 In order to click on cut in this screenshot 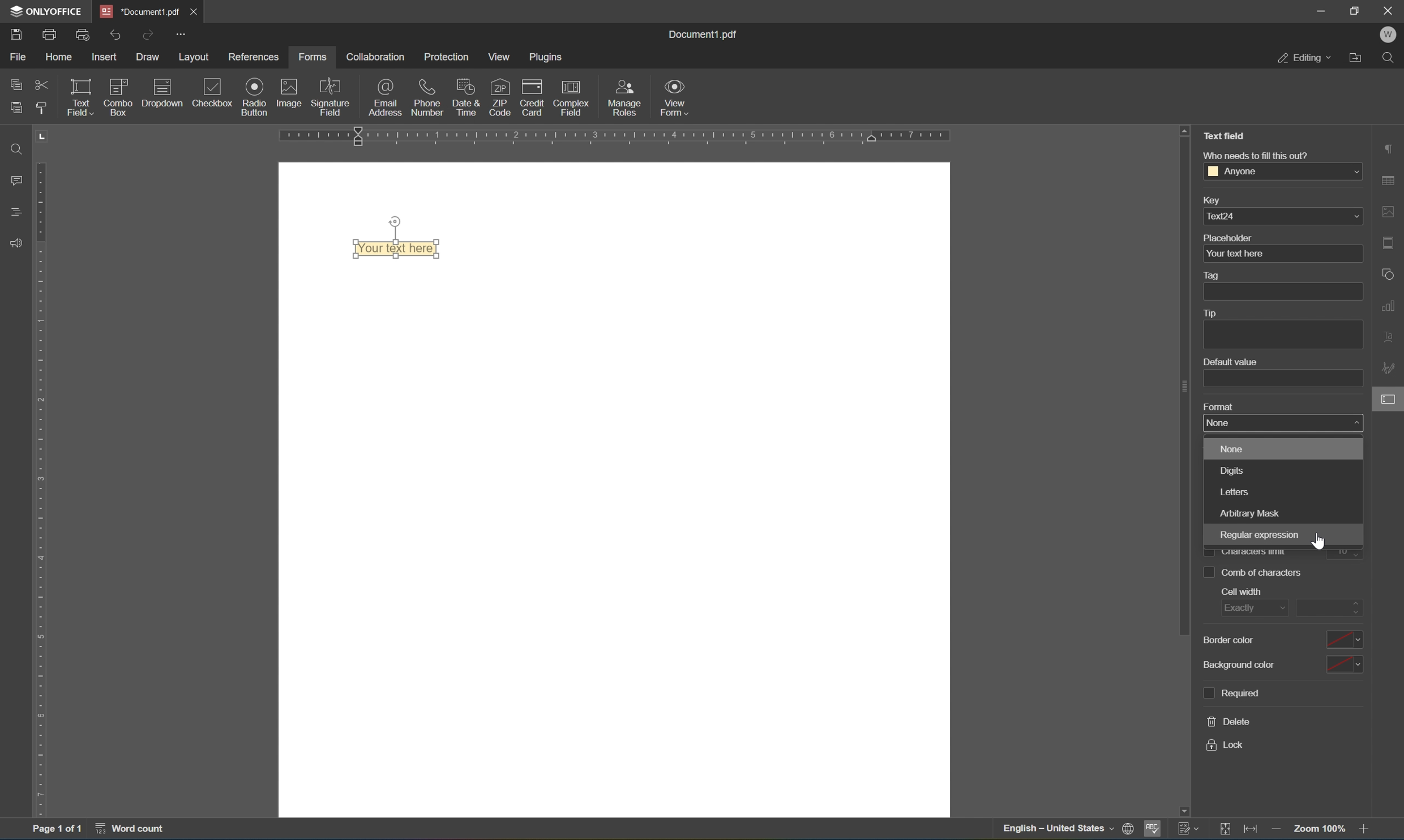, I will do `click(42, 86)`.